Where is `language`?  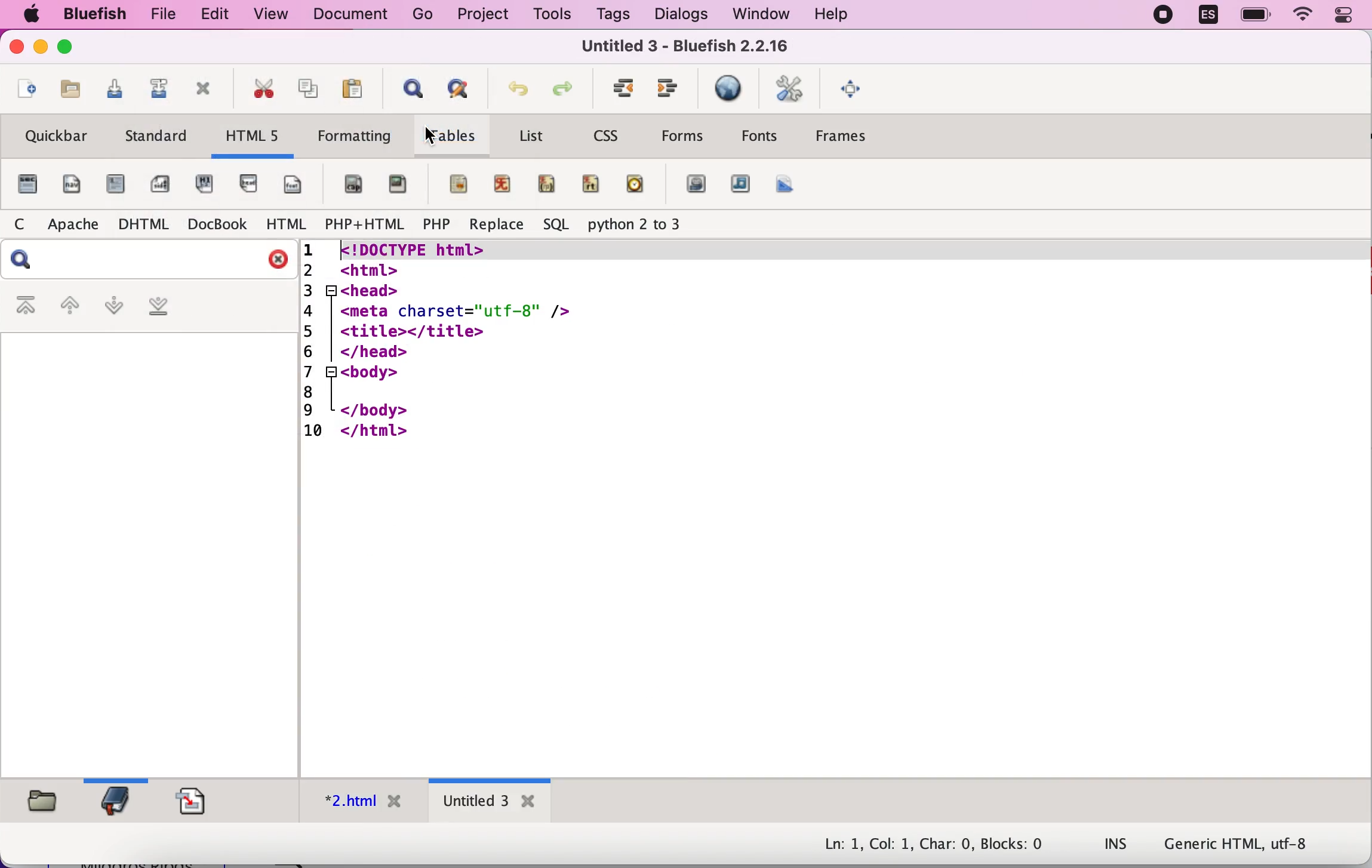 language is located at coordinates (1205, 17).